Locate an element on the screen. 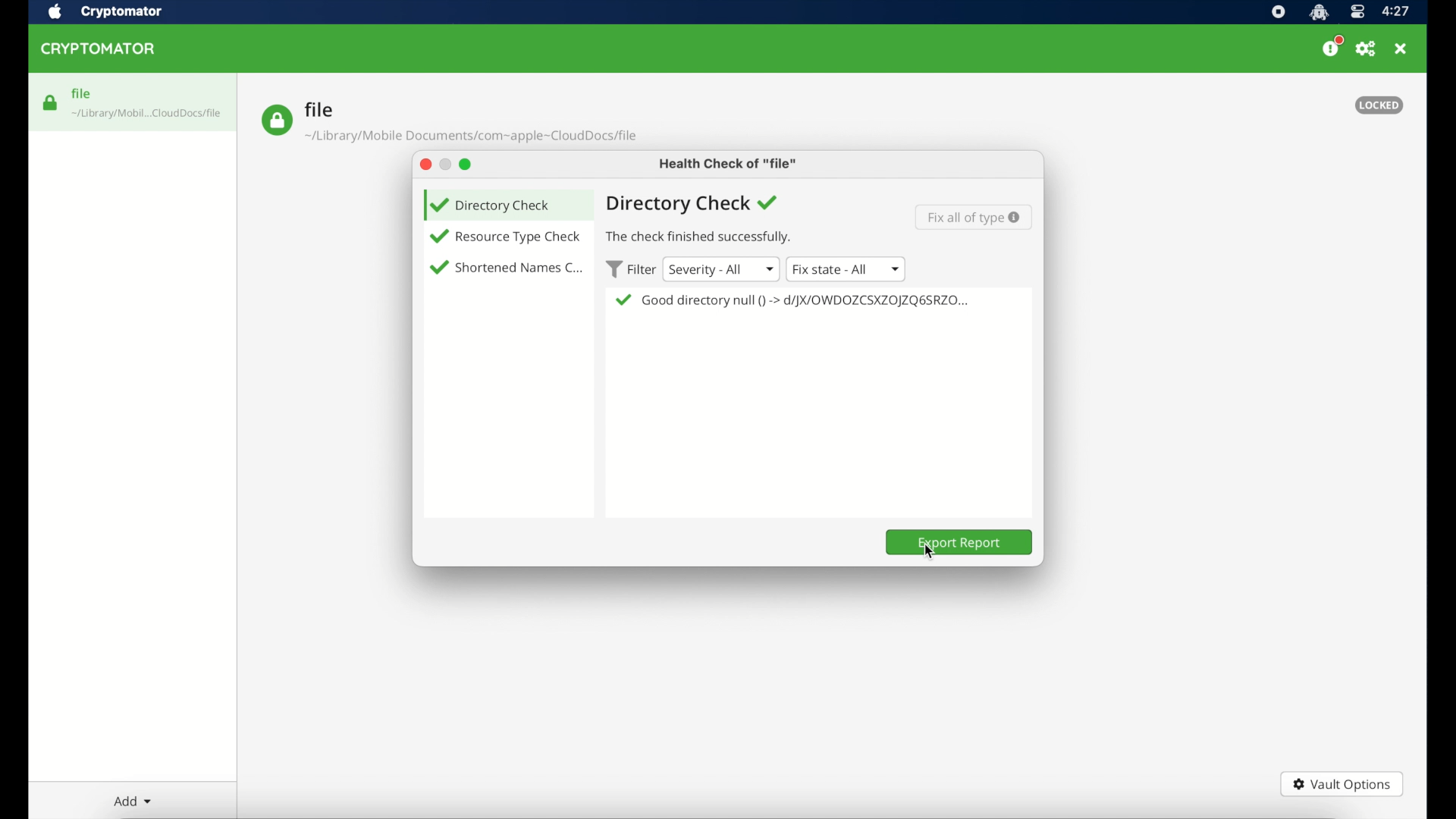 This screenshot has height=819, width=1456. The check finished successfully. is located at coordinates (708, 238).